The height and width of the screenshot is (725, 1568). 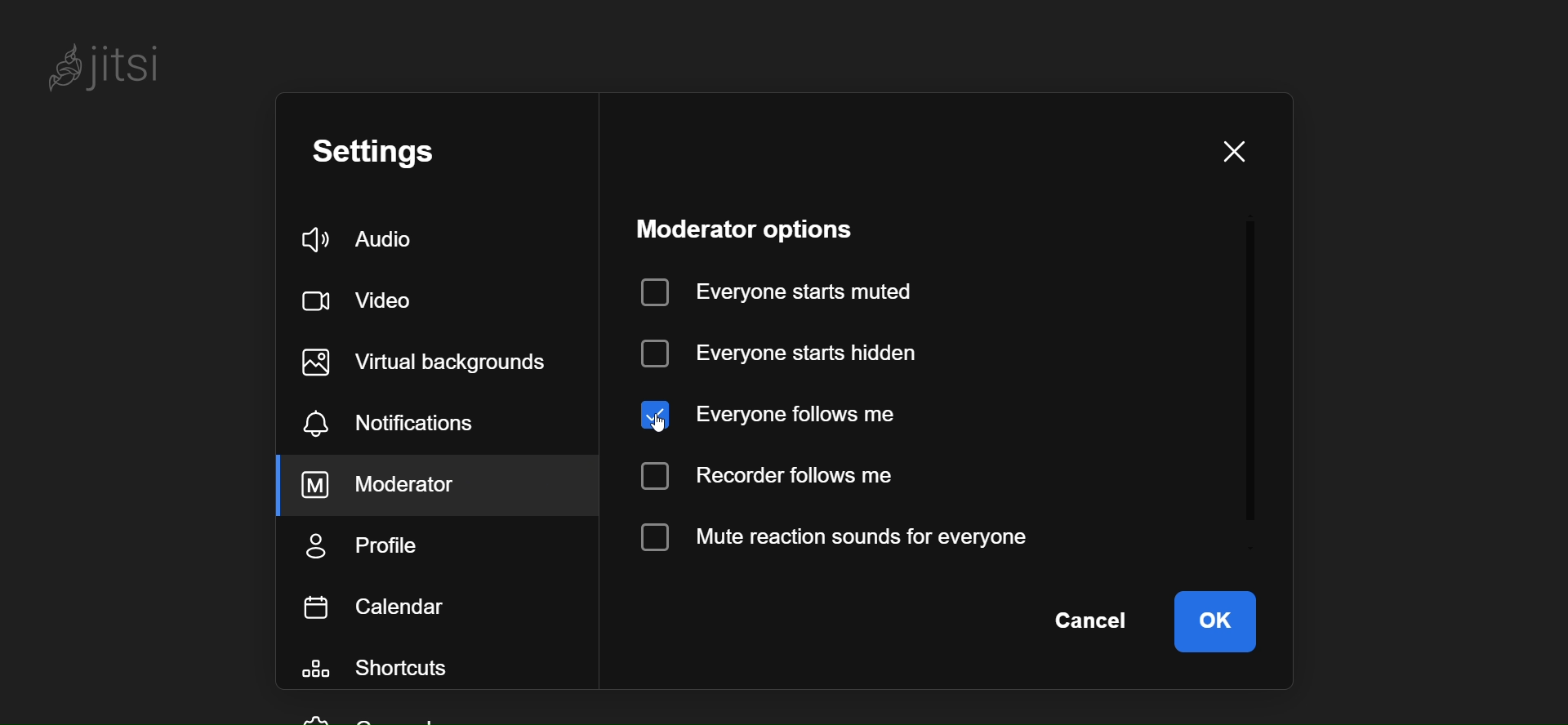 I want to click on jitsi, so click(x=106, y=62).